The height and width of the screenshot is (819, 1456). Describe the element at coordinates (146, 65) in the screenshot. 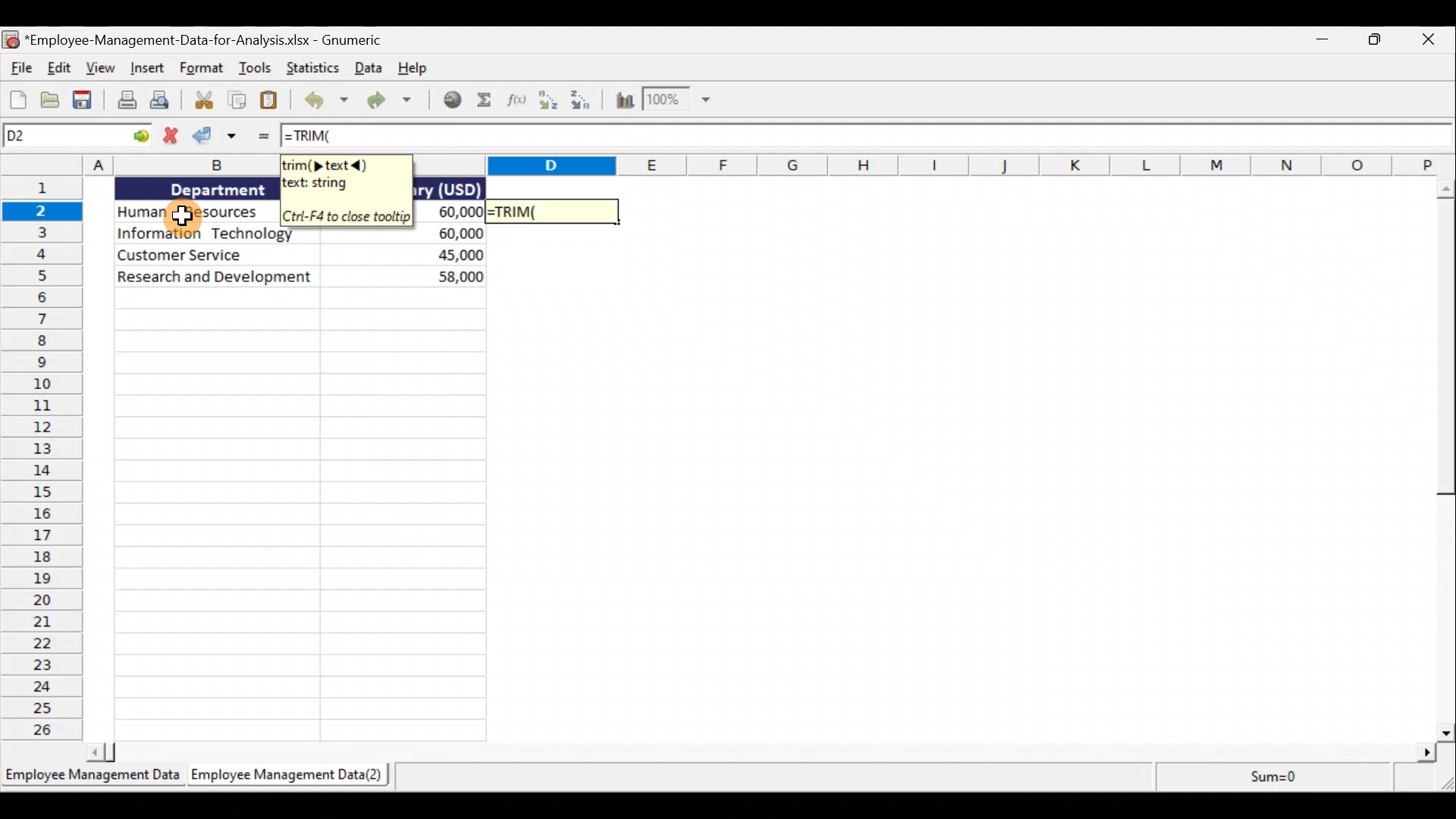

I see `Insert` at that location.